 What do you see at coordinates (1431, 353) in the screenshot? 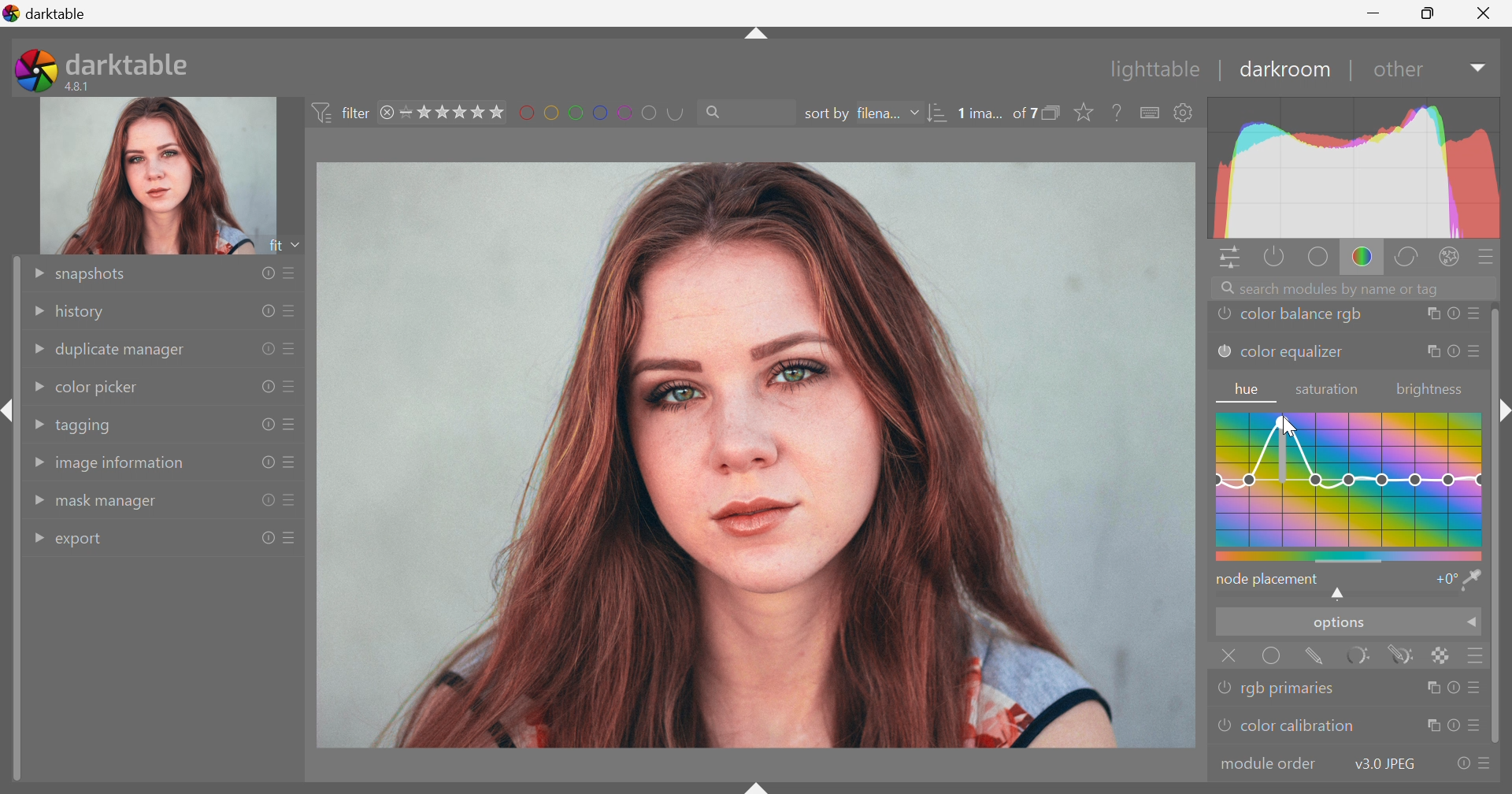
I see `multiple instance actions` at bounding box center [1431, 353].